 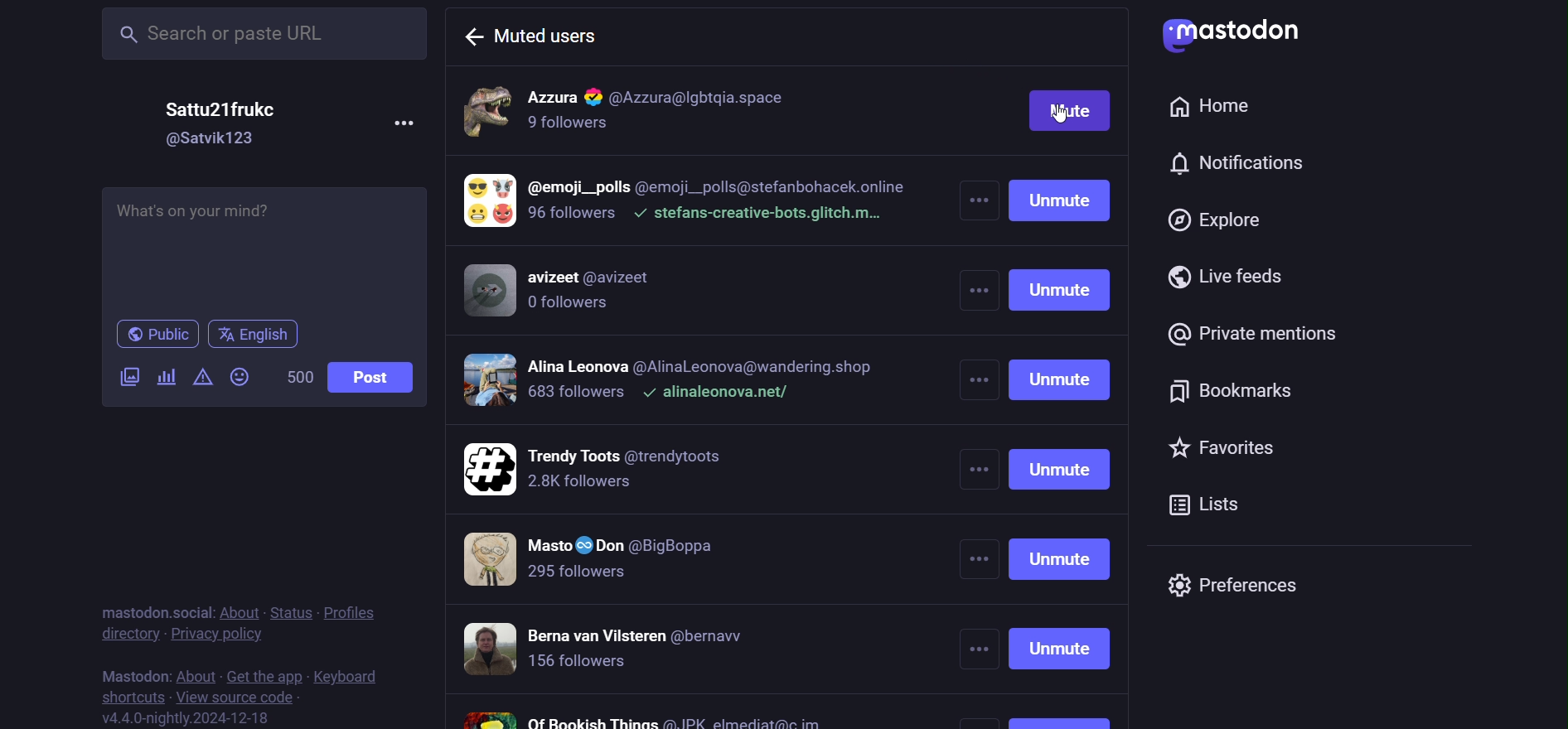 I want to click on muted user 2, so click(x=686, y=206).